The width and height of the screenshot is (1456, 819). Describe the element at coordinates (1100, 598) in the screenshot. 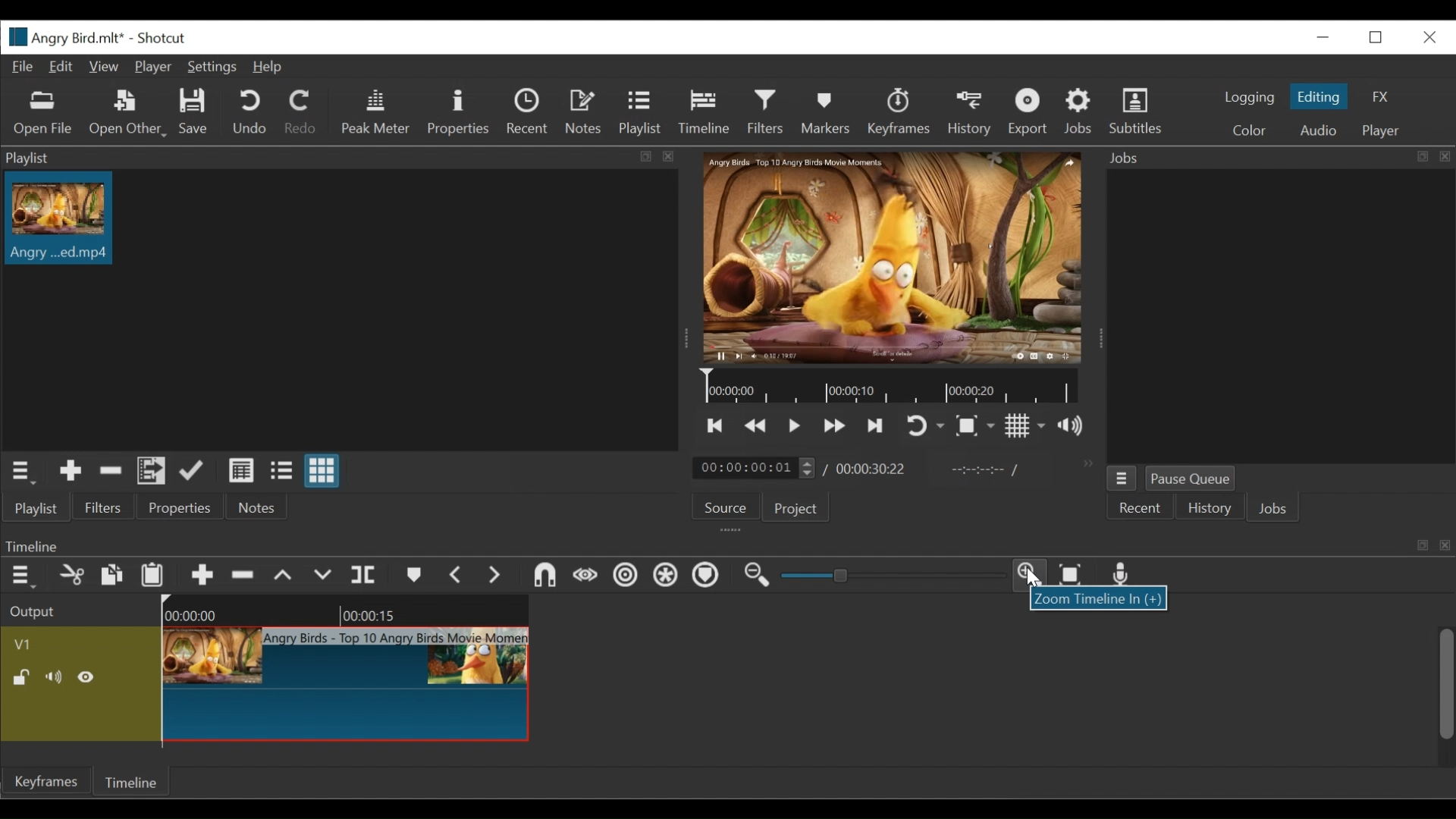

I see `Zoom timeline in dialogue box` at that location.